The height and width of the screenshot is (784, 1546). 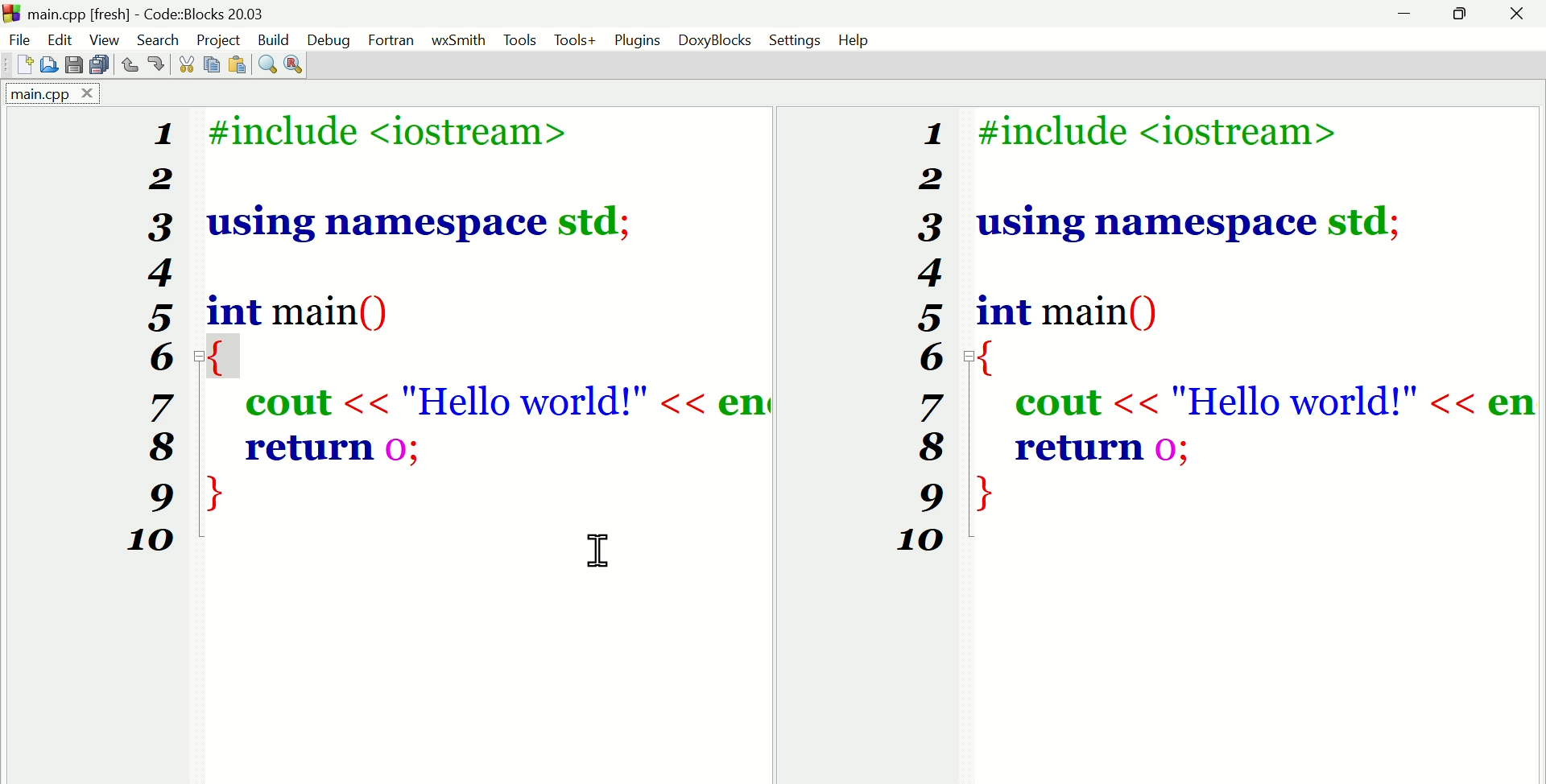 What do you see at coordinates (213, 63) in the screenshot?
I see `Paste` at bounding box center [213, 63].